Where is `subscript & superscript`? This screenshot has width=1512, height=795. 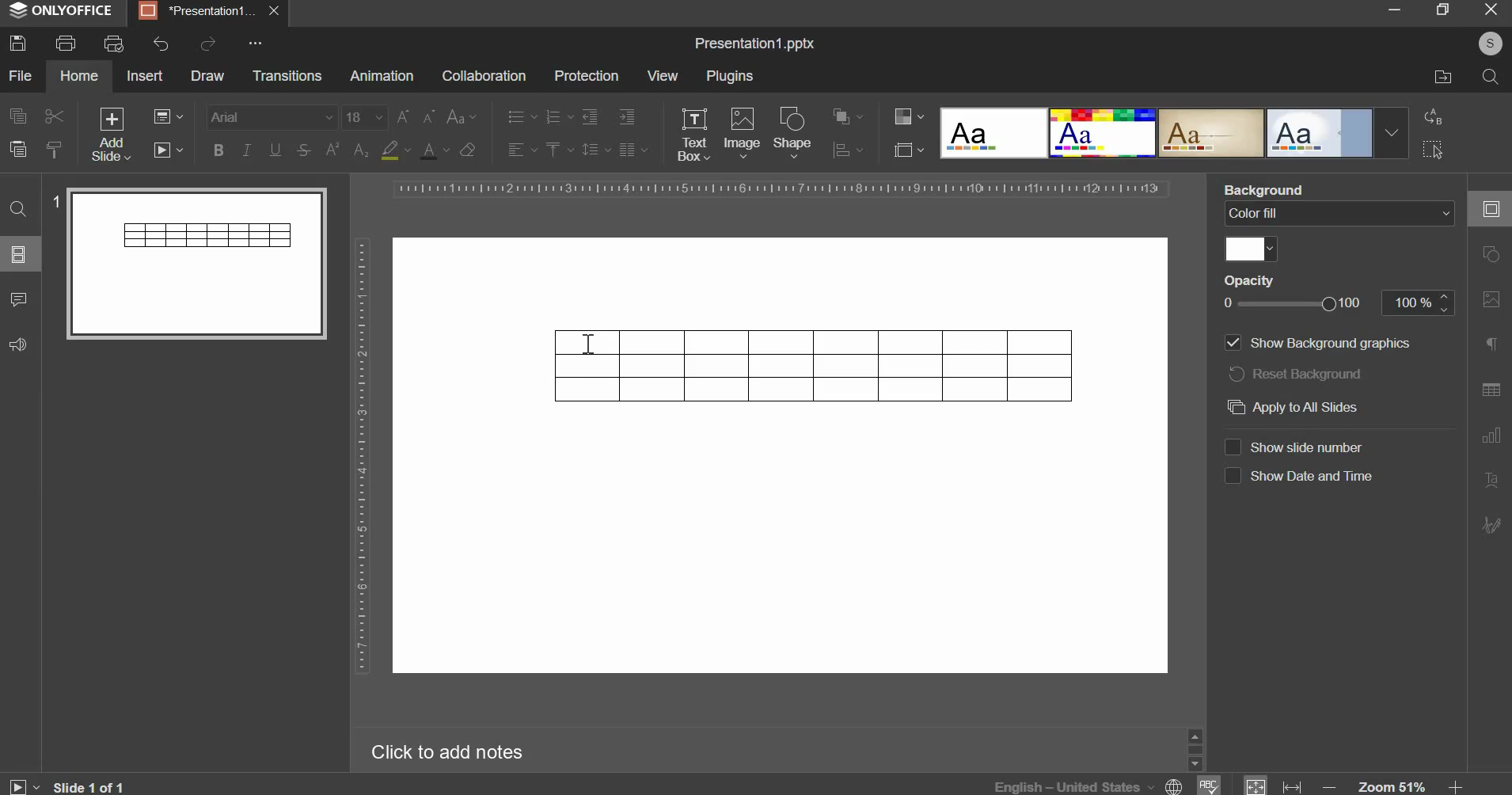
subscript & superscript is located at coordinates (347, 149).